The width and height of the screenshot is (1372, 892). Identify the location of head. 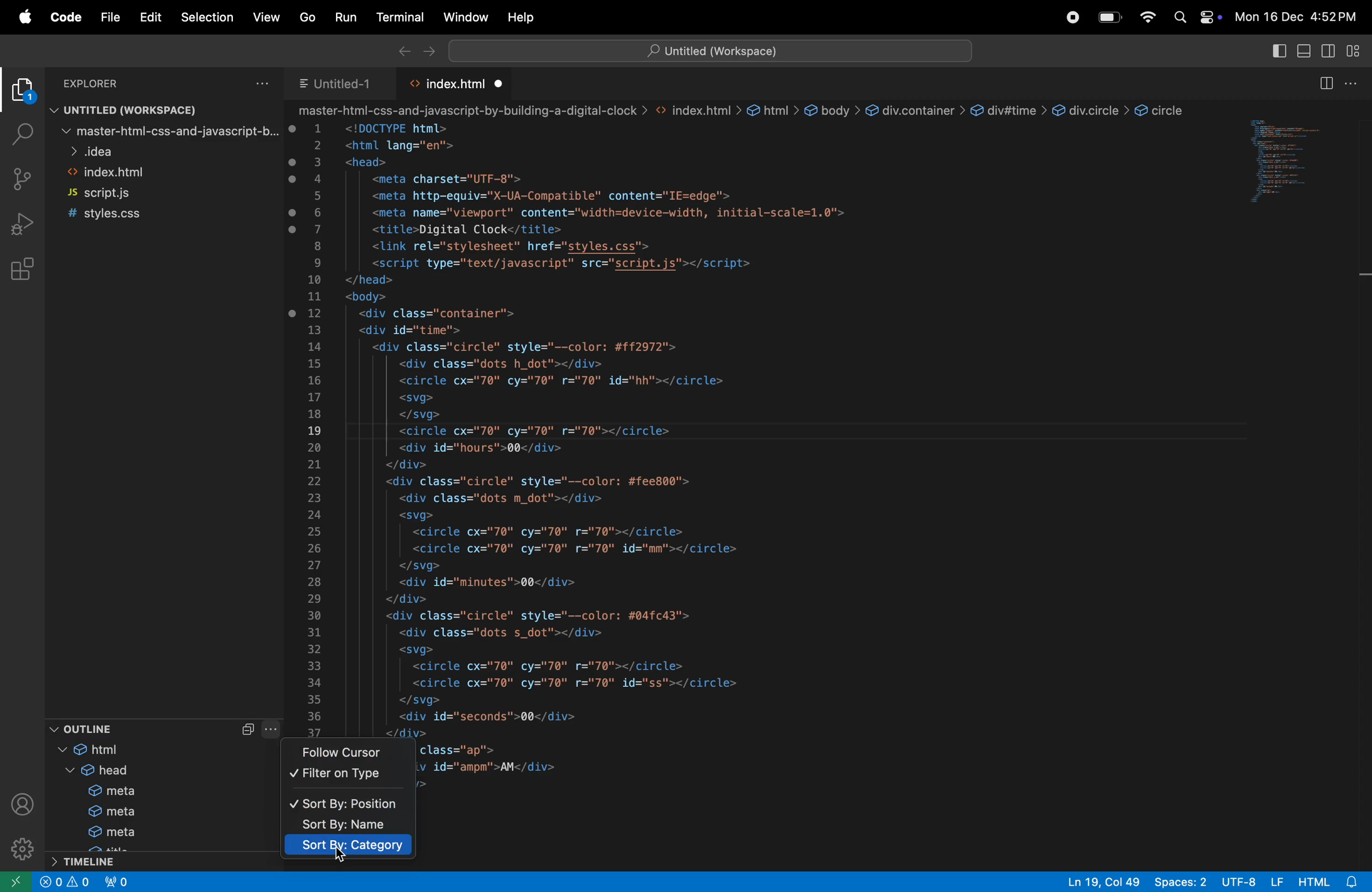
(96, 771).